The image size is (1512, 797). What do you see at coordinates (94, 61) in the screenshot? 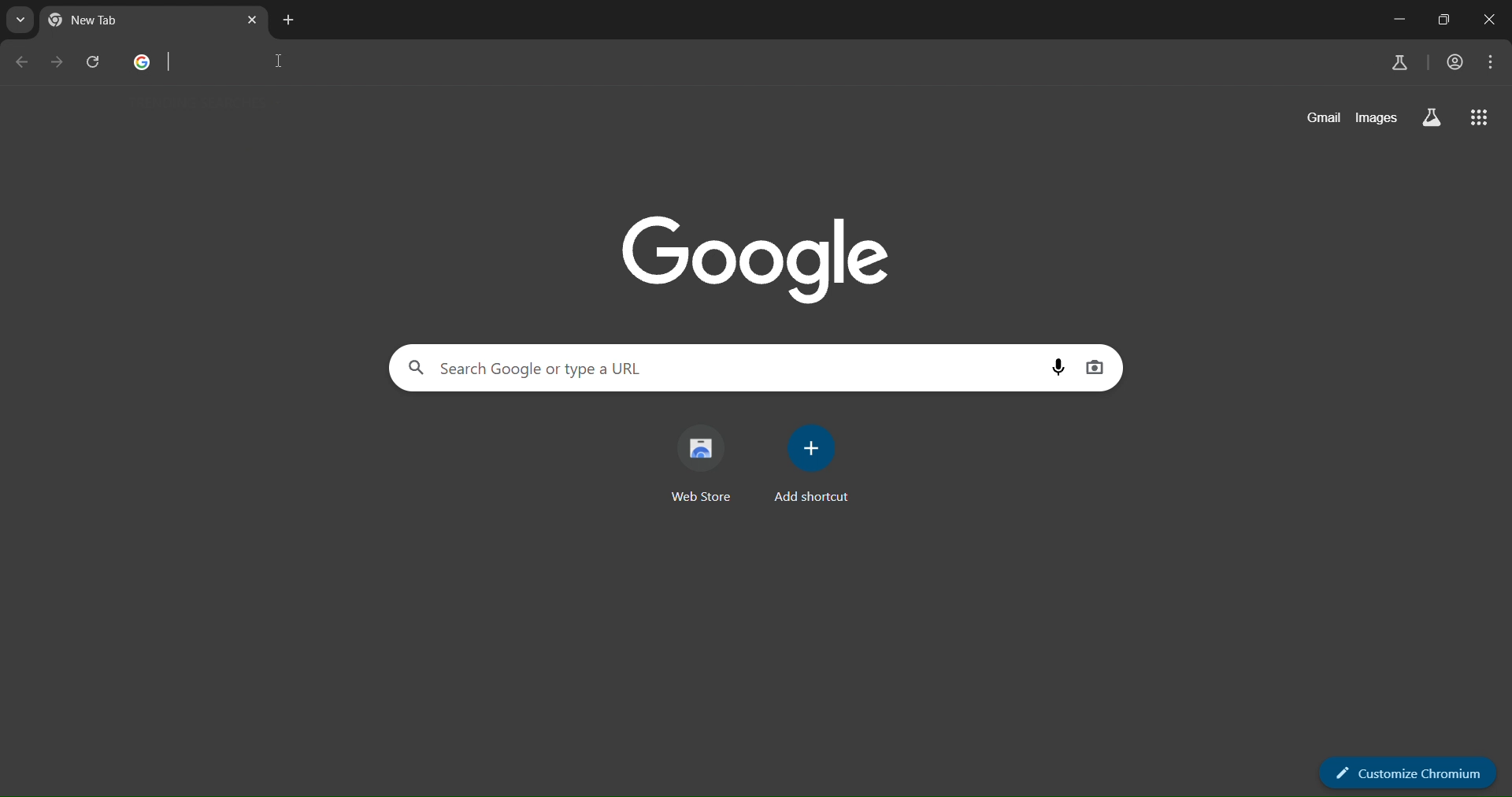
I see `reload` at bounding box center [94, 61].